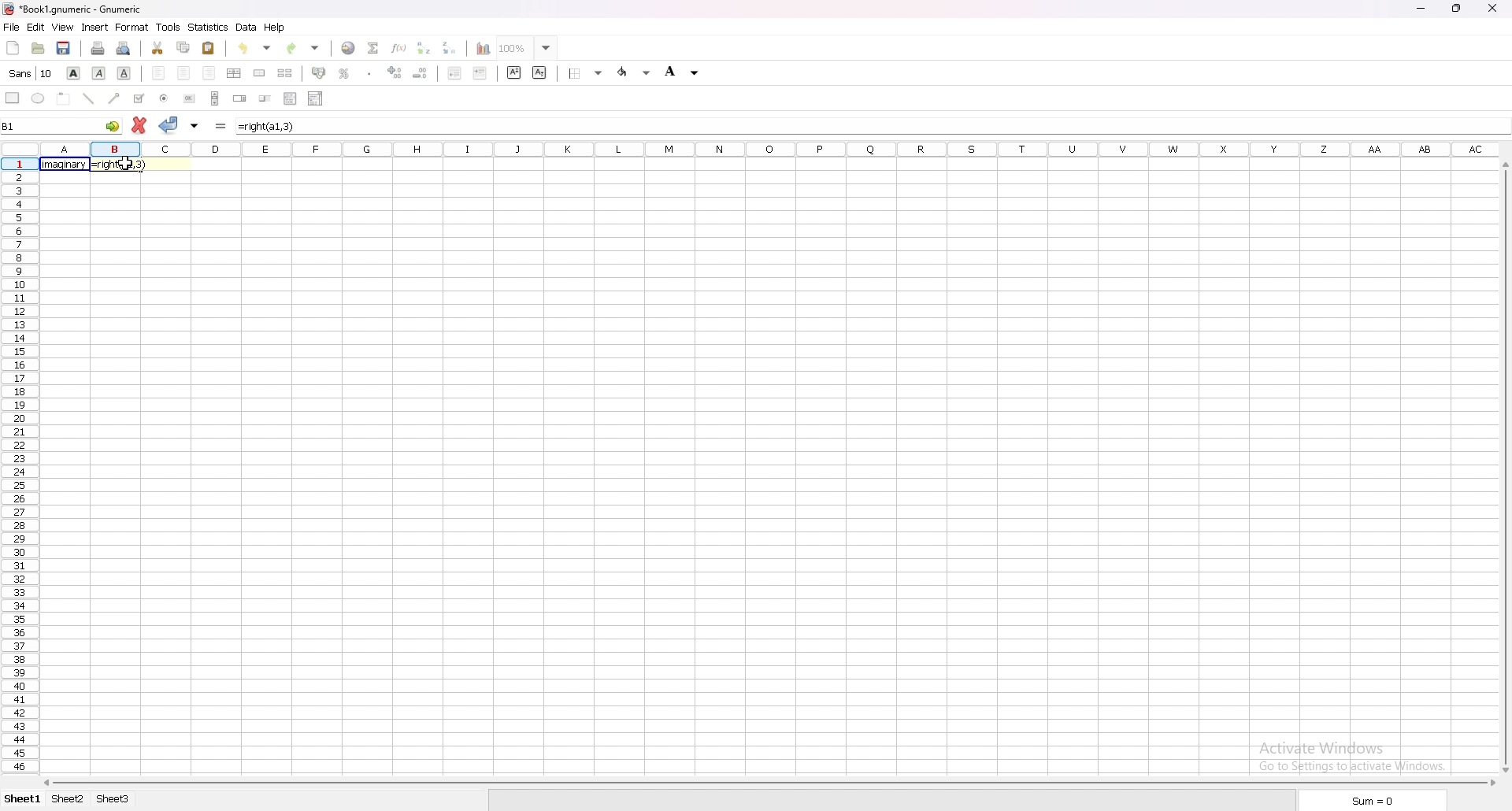 The height and width of the screenshot is (811, 1512). I want to click on hyperlink, so click(349, 48).